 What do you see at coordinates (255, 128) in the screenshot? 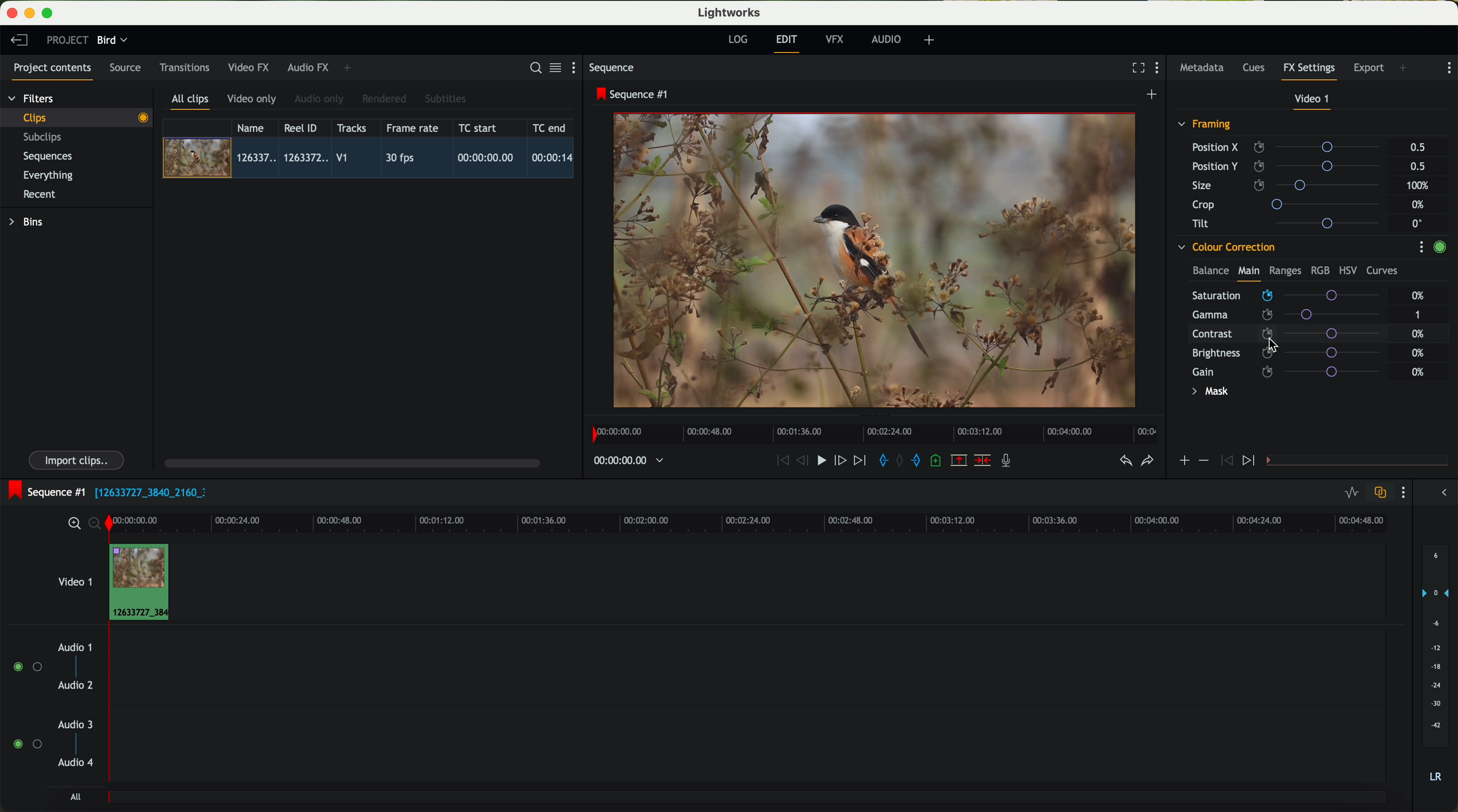
I see `name` at bounding box center [255, 128].